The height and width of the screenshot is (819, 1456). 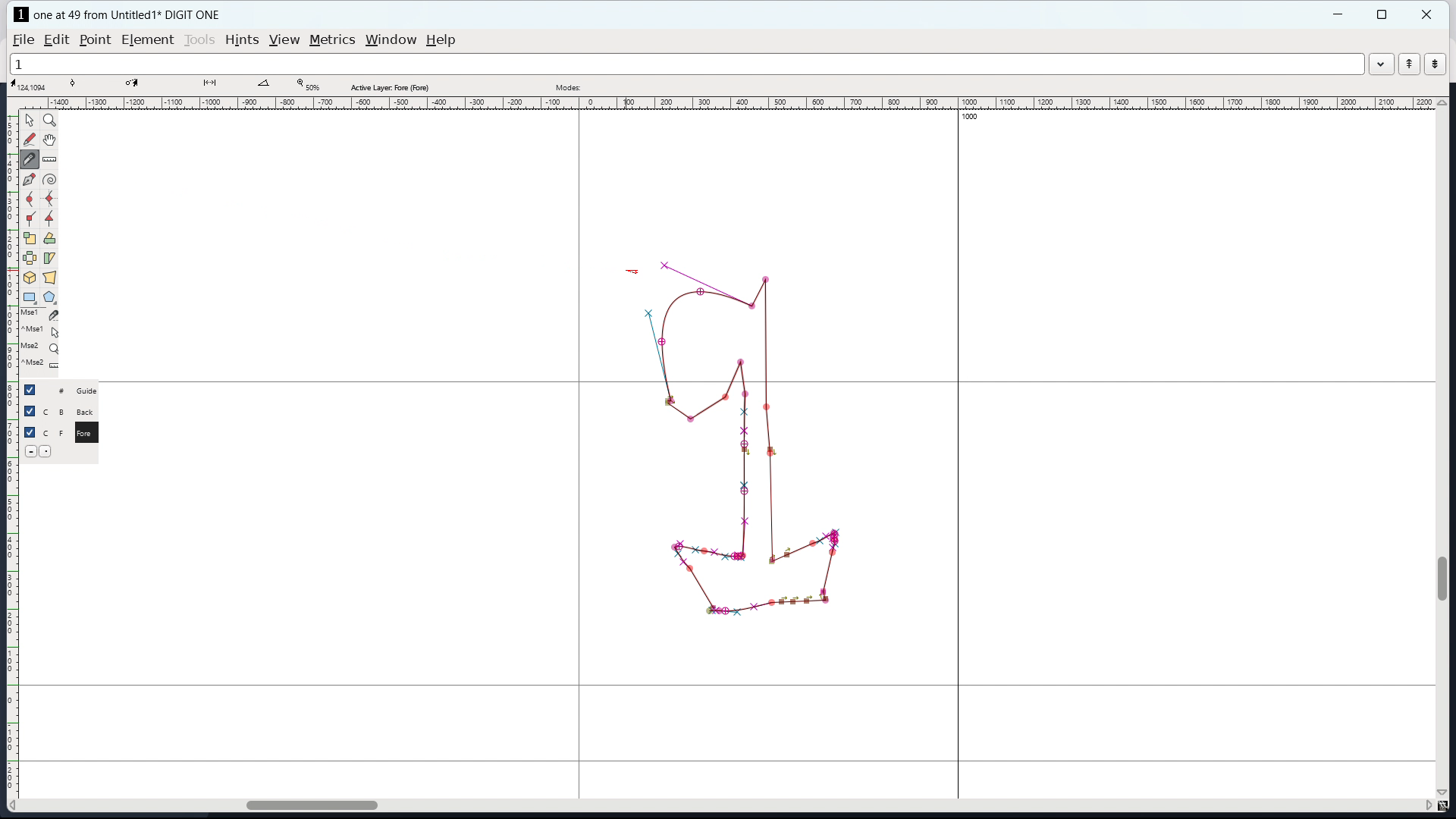 What do you see at coordinates (55, 410) in the screenshot?
I see `C B` at bounding box center [55, 410].